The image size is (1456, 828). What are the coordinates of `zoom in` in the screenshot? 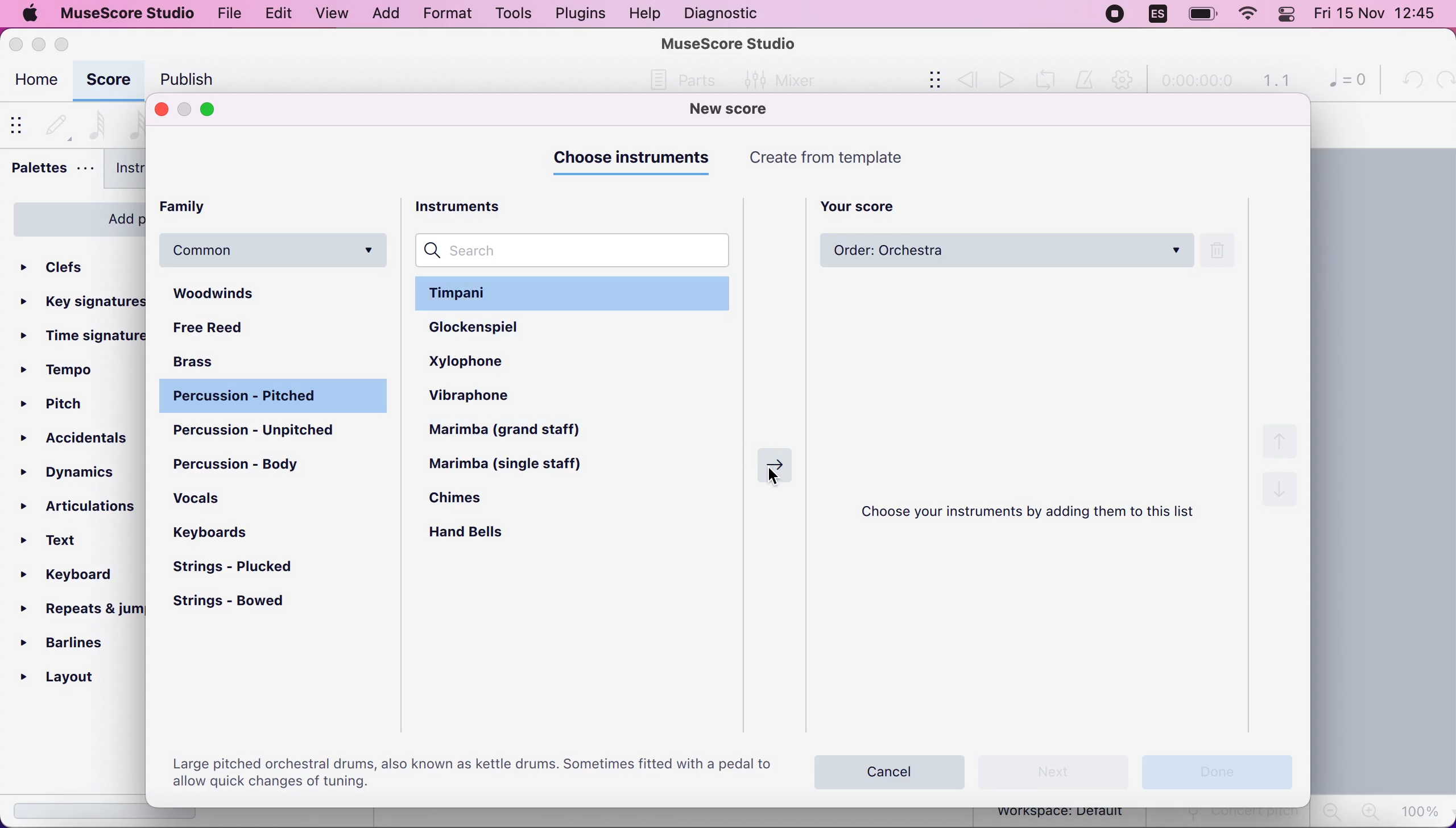 It's located at (1368, 812).